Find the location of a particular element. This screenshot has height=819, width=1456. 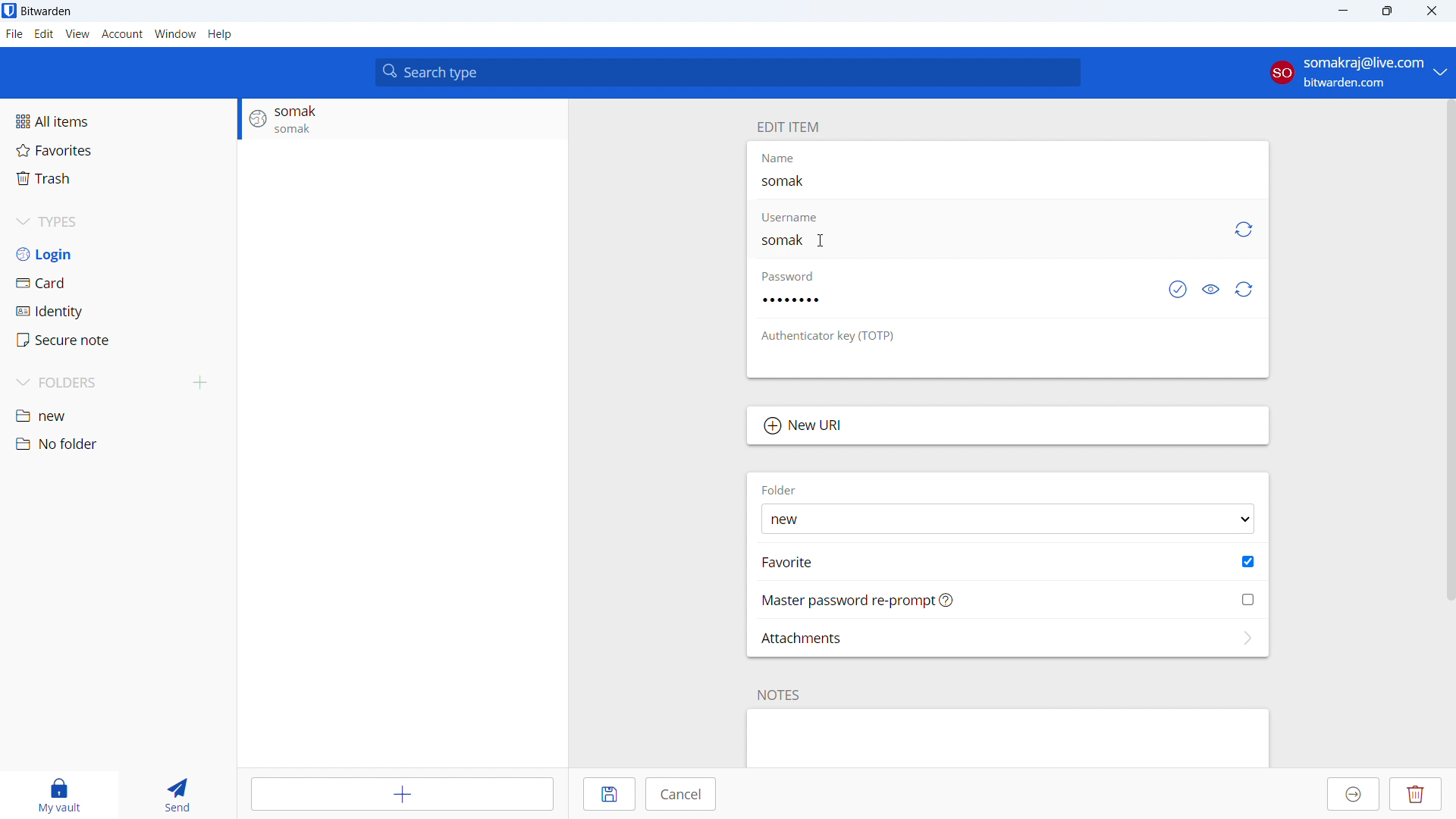

send is located at coordinates (188, 795).